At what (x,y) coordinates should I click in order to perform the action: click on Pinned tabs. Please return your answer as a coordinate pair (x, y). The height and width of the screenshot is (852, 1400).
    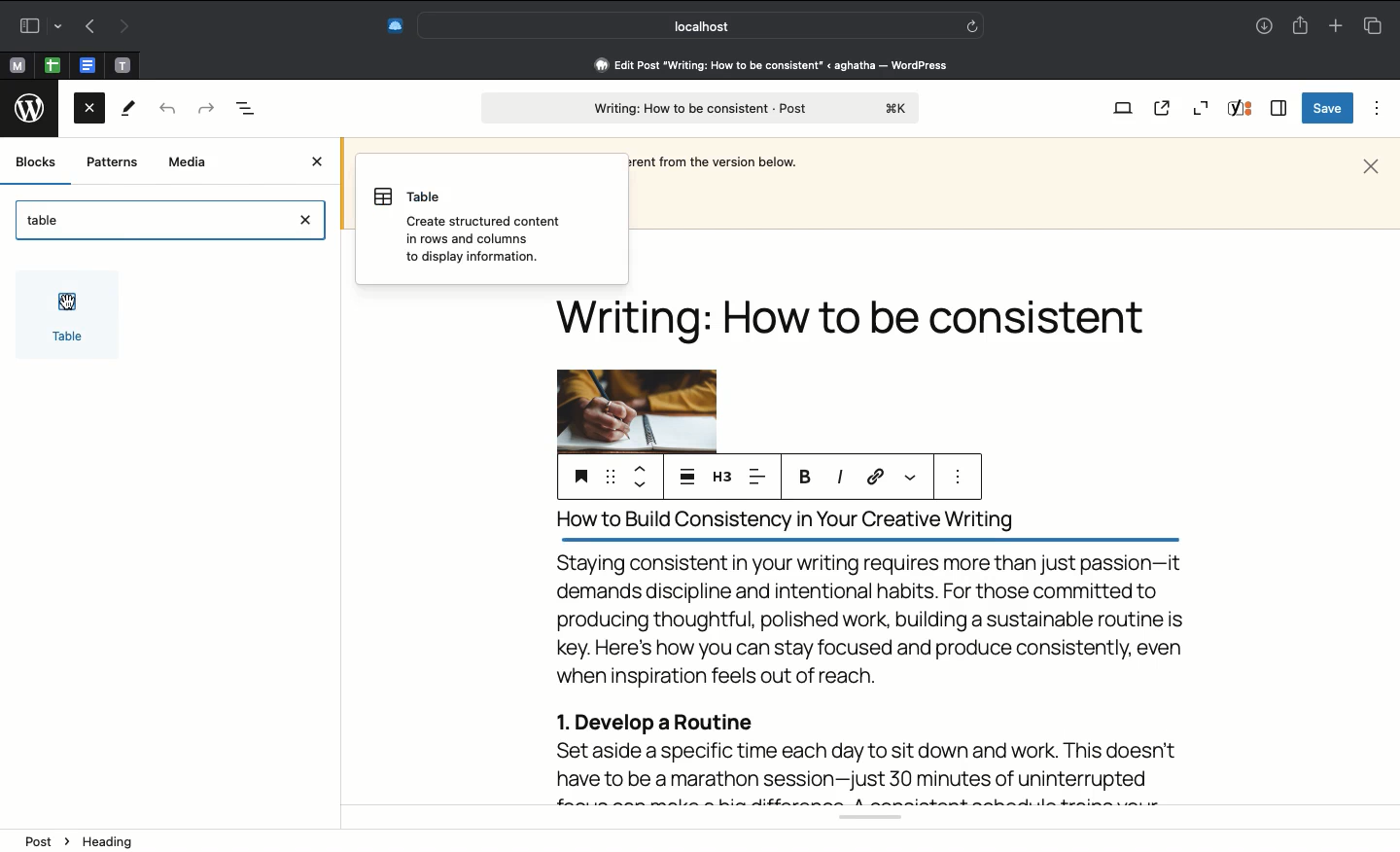
    Looking at the image, I should click on (52, 64).